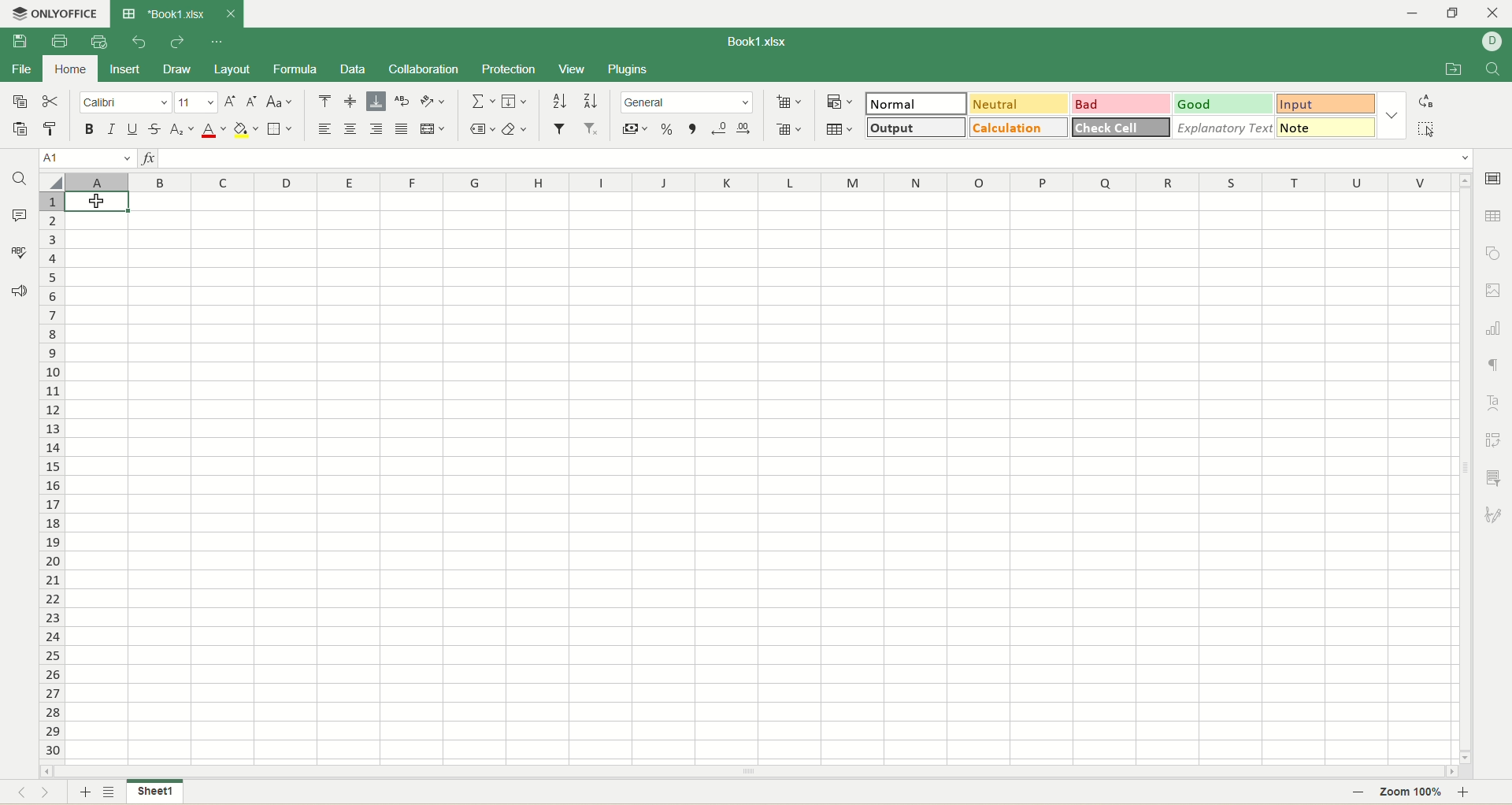 Image resolution: width=1512 pixels, height=805 pixels. Describe the element at coordinates (124, 102) in the screenshot. I see `font name` at that location.